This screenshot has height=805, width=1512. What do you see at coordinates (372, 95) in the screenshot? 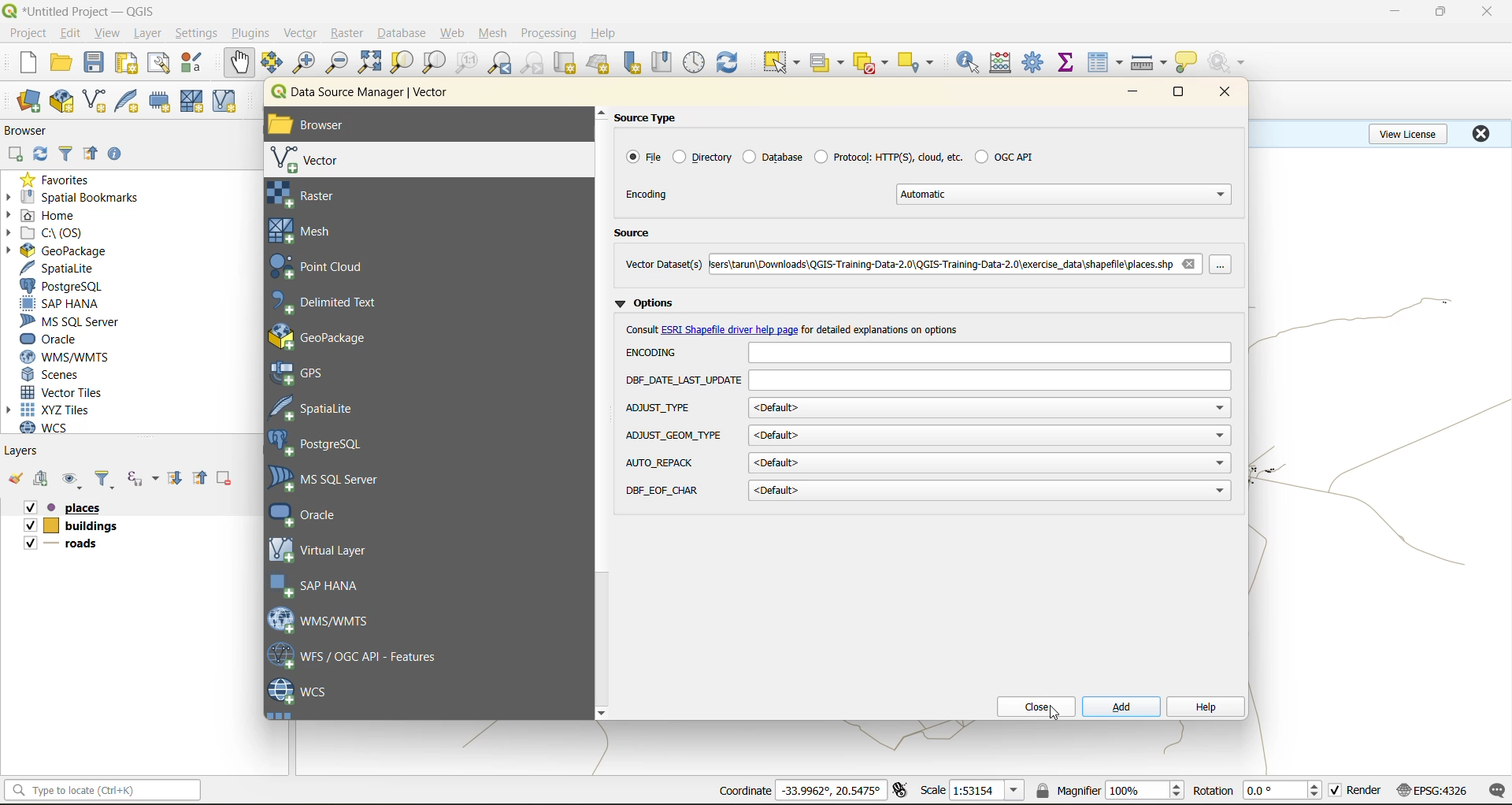
I see `data source manager` at bounding box center [372, 95].